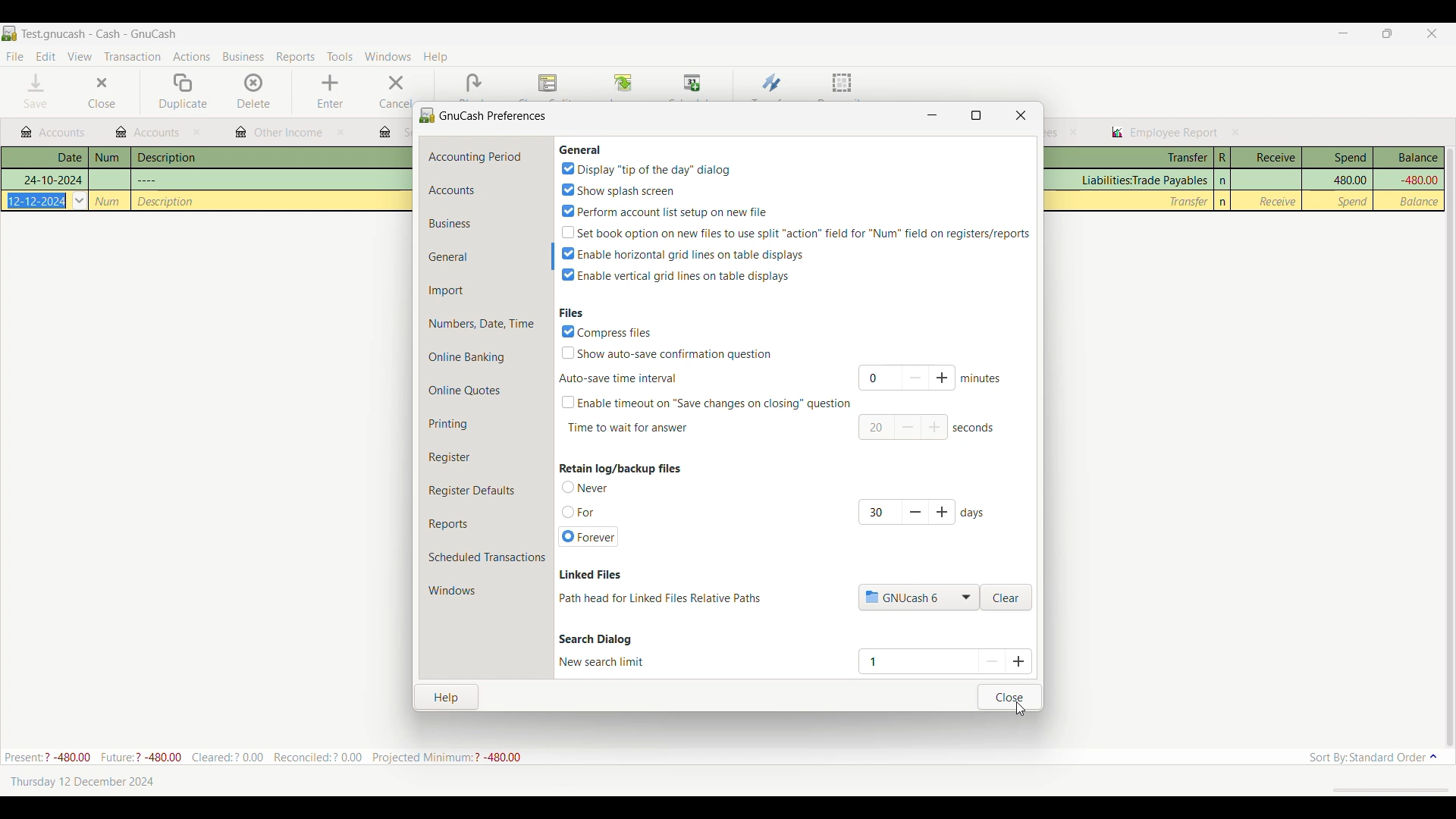  Describe the element at coordinates (487, 156) in the screenshot. I see `` at that location.